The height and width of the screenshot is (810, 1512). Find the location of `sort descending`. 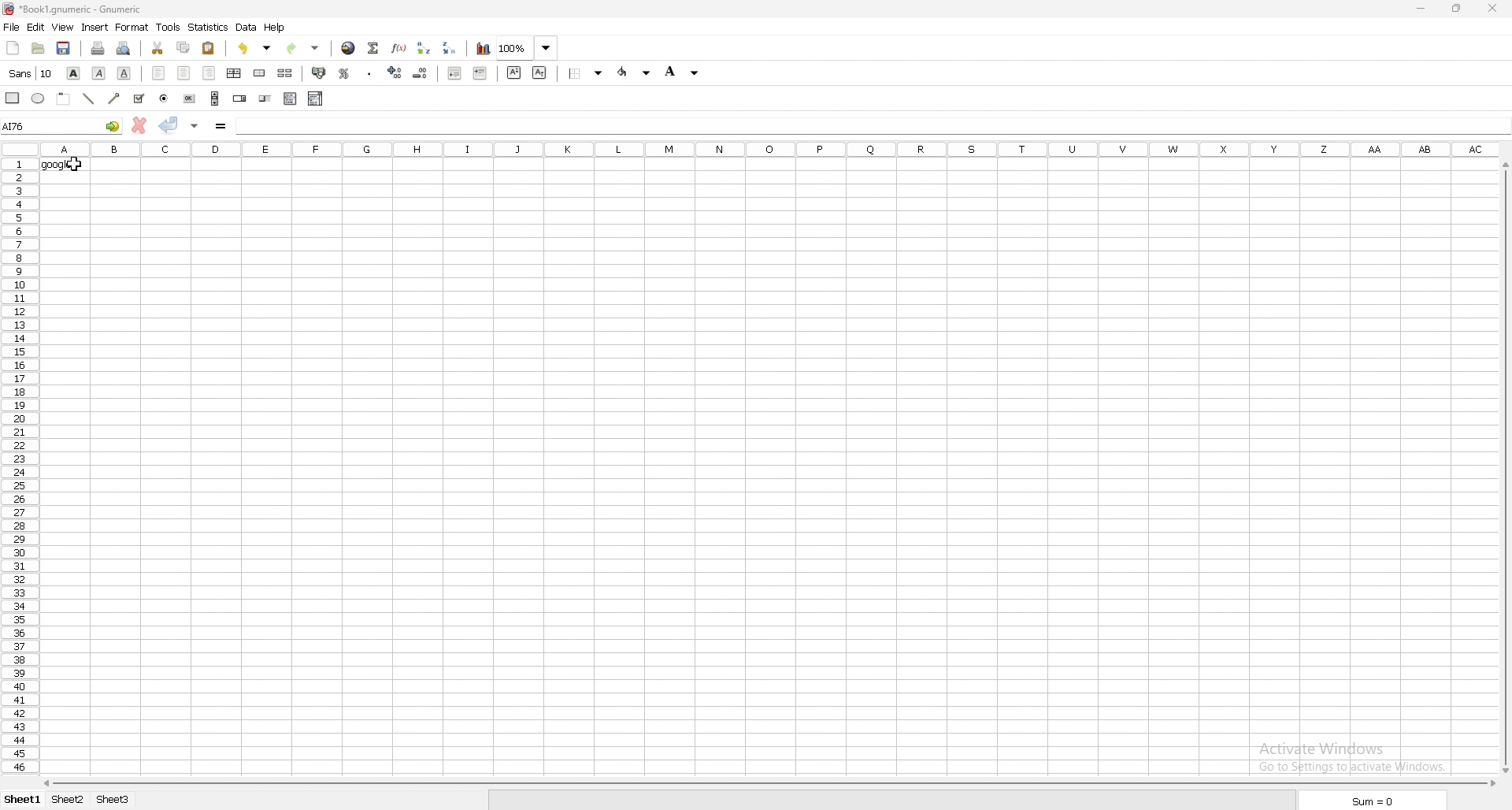

sort descending is located at coordinates (450, 47).